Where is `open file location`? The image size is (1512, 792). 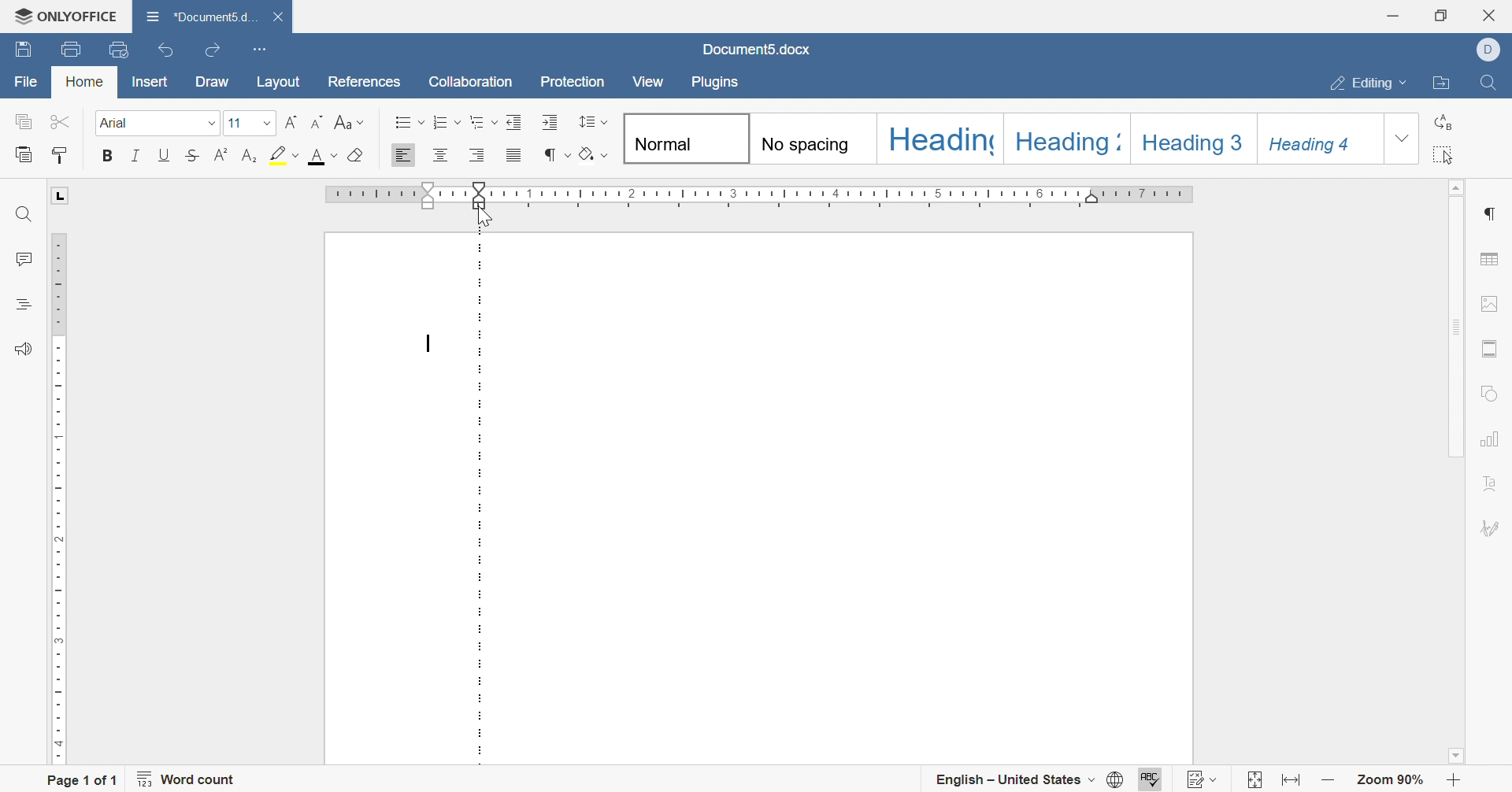 open file location is located at coordinates (1444, 83).